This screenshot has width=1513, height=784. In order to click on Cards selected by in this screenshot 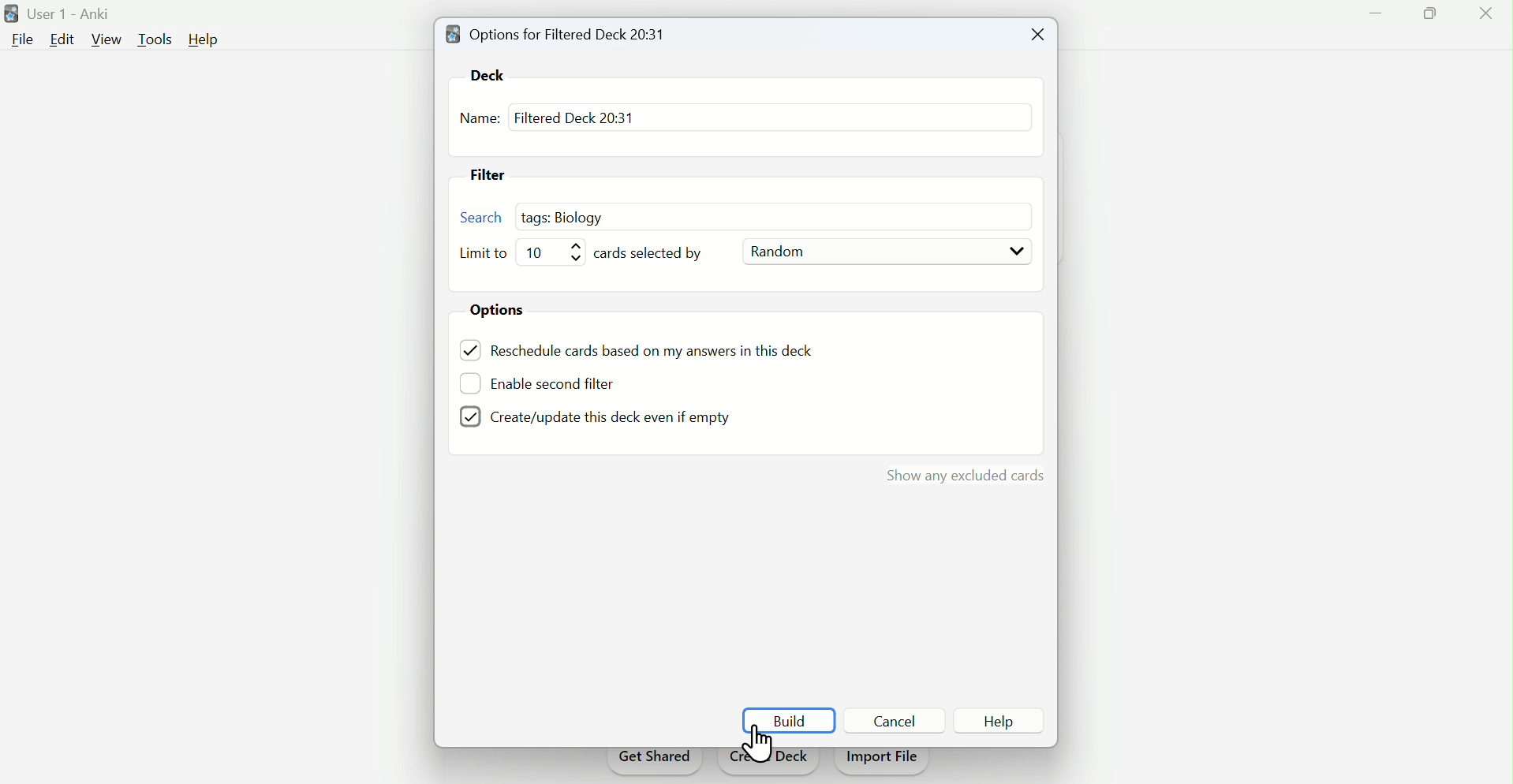, I will do `click(657, 253)`.